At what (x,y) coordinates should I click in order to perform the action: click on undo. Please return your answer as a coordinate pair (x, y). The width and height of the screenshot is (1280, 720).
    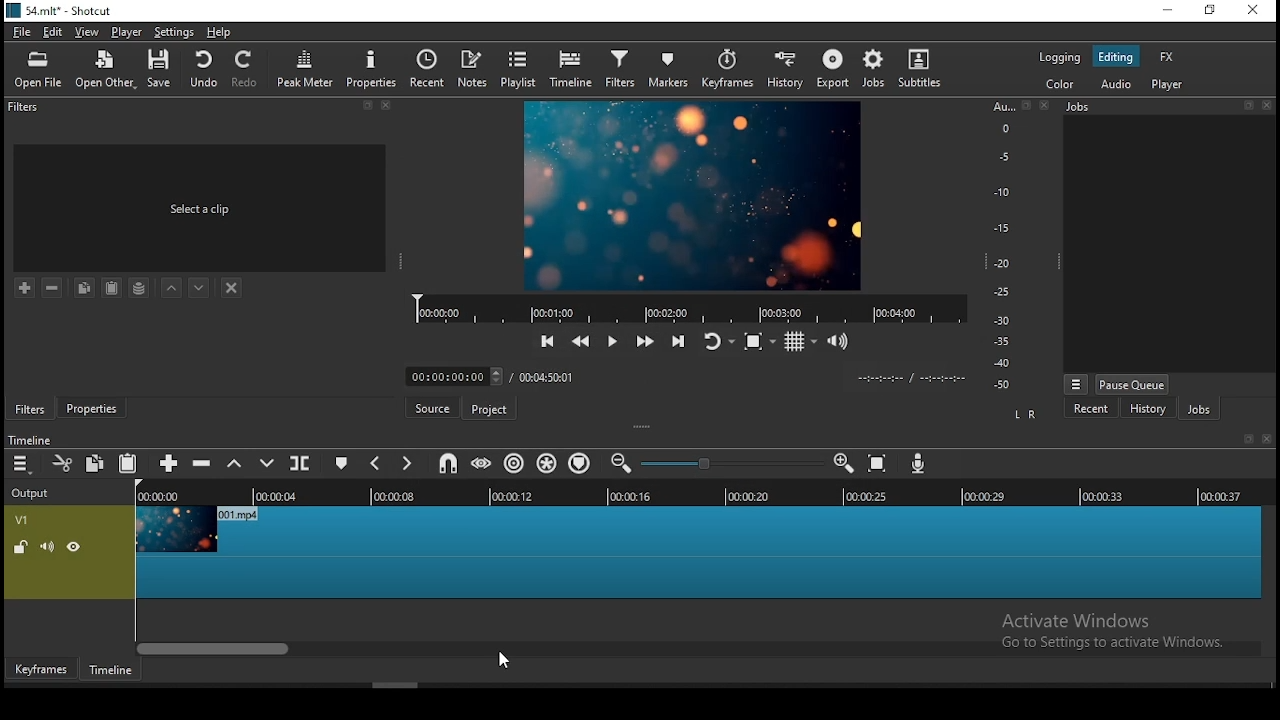
    Looking at the image, I should click on (205, 69).